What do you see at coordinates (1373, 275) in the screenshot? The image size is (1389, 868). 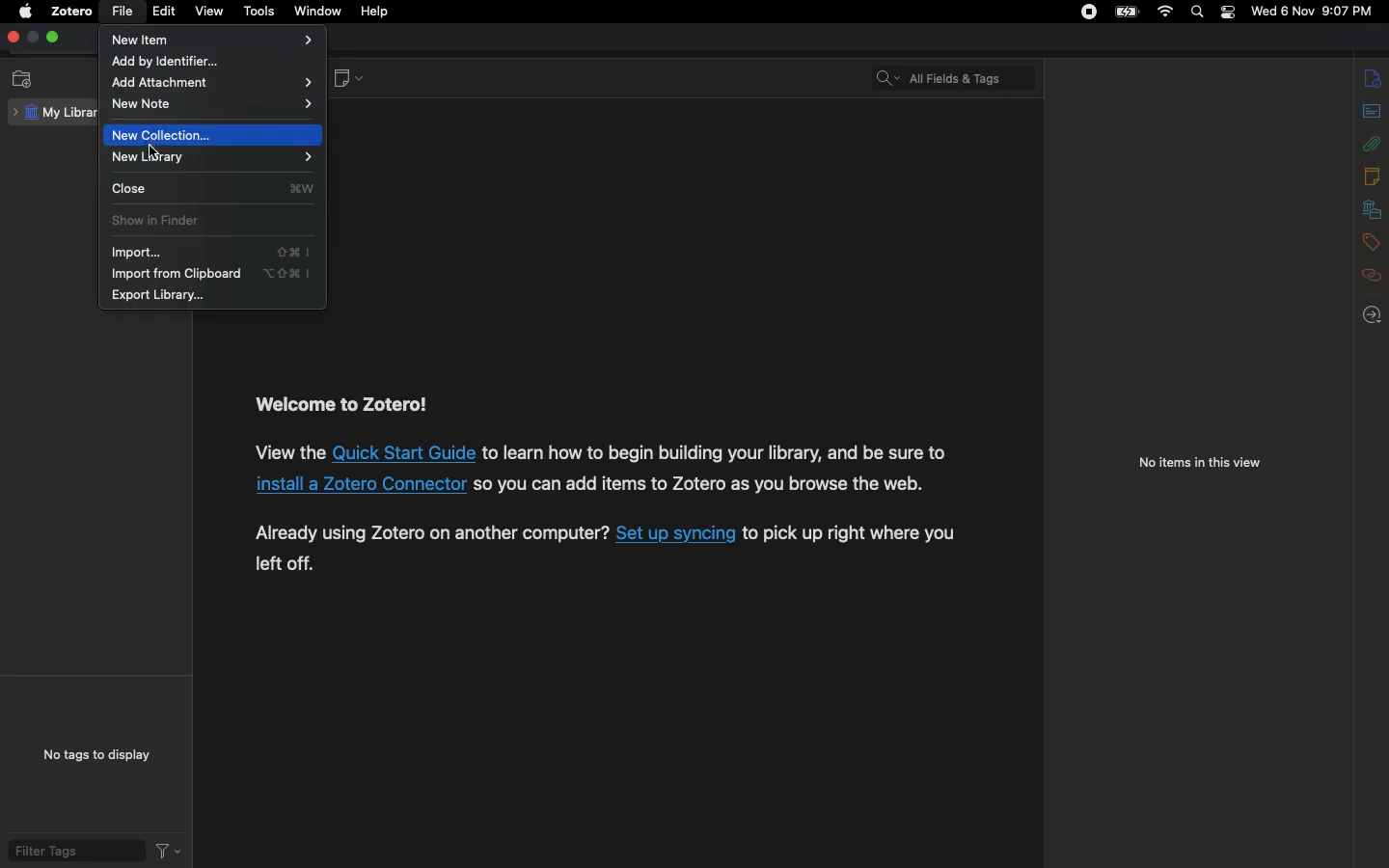 I see `Related` at bounding box center [1373, 275].